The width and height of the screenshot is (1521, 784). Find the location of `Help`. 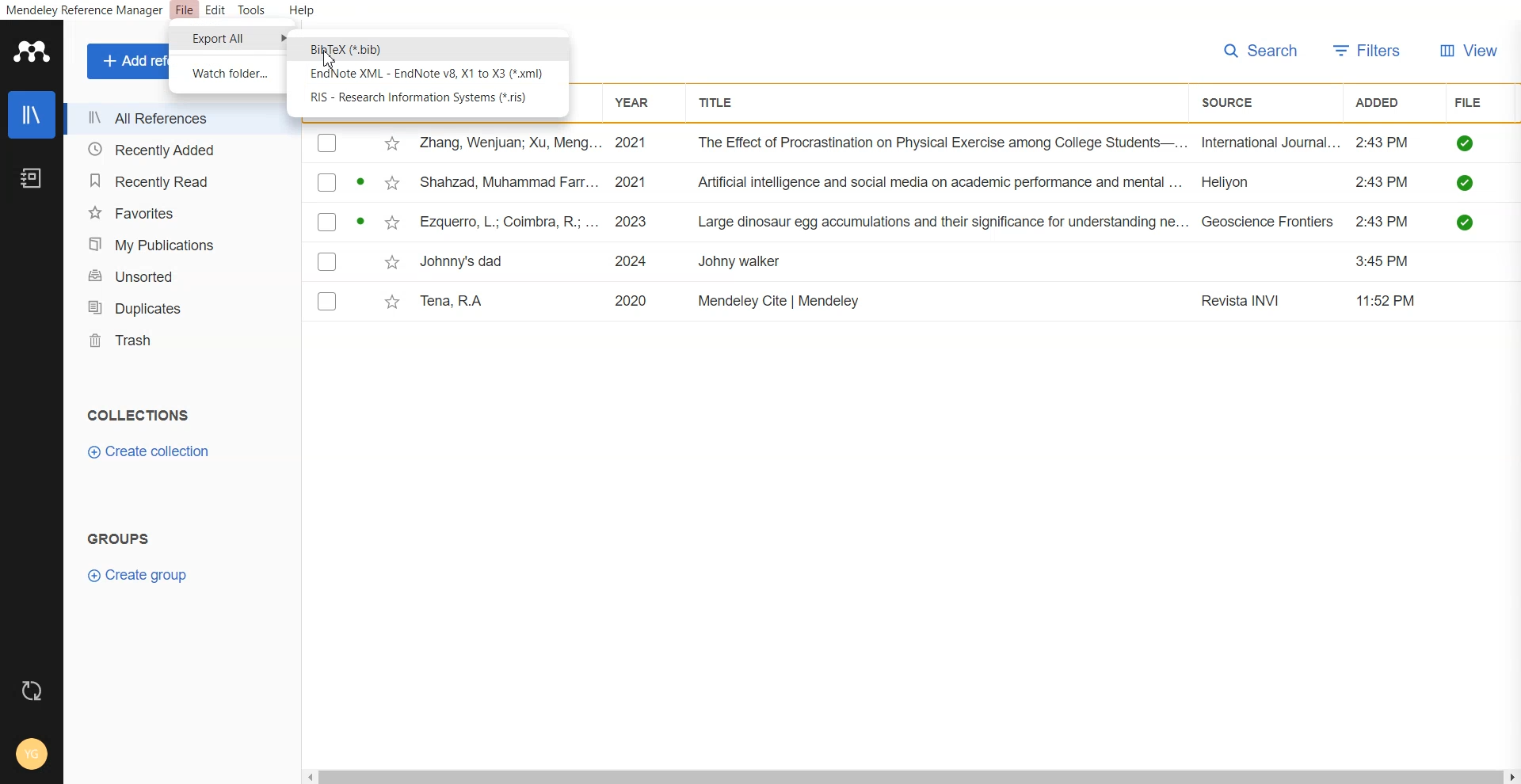

Help is located at coordinates (300, 11).